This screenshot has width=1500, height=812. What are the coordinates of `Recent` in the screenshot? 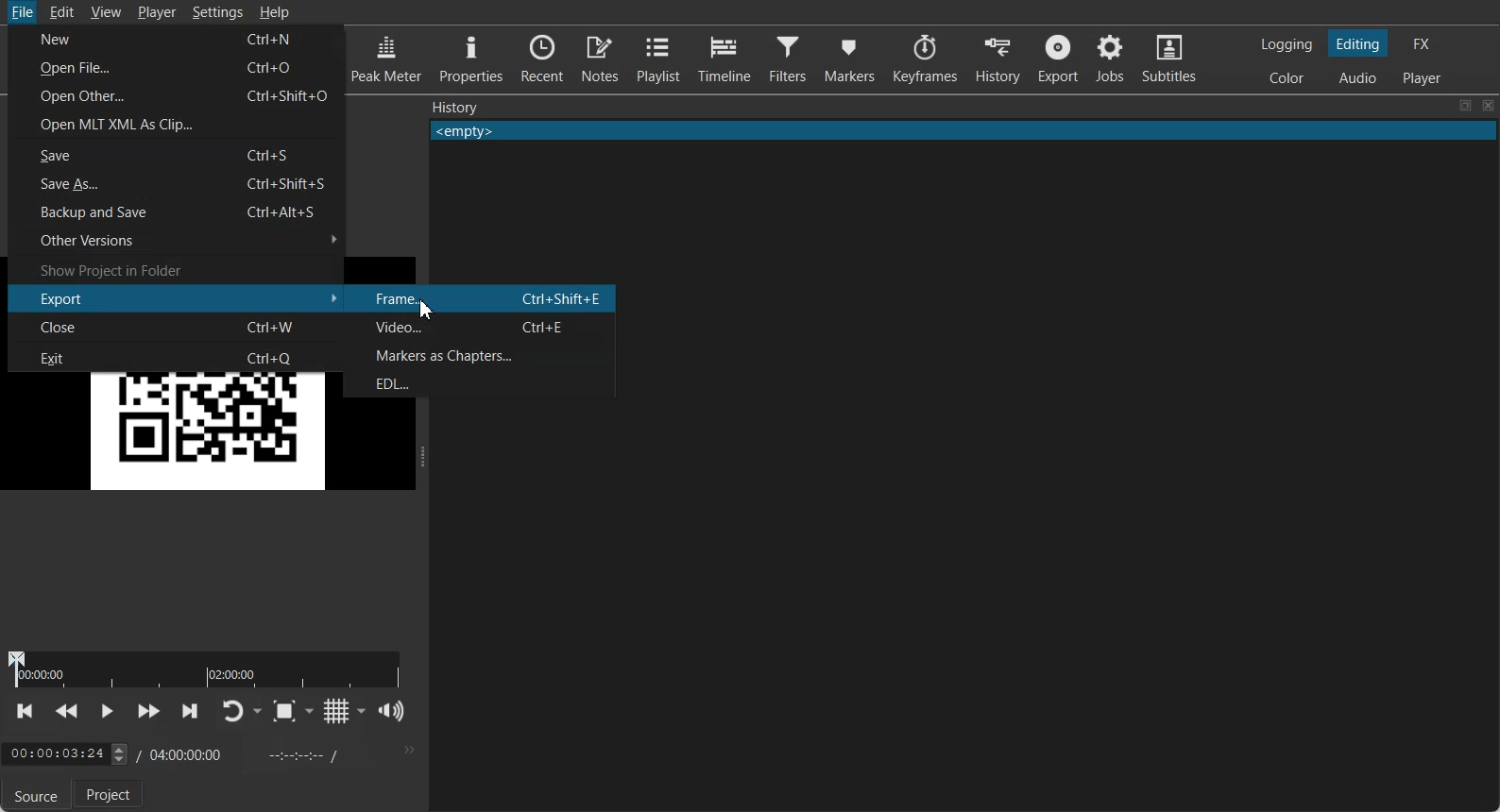 It's located at (542, 57).